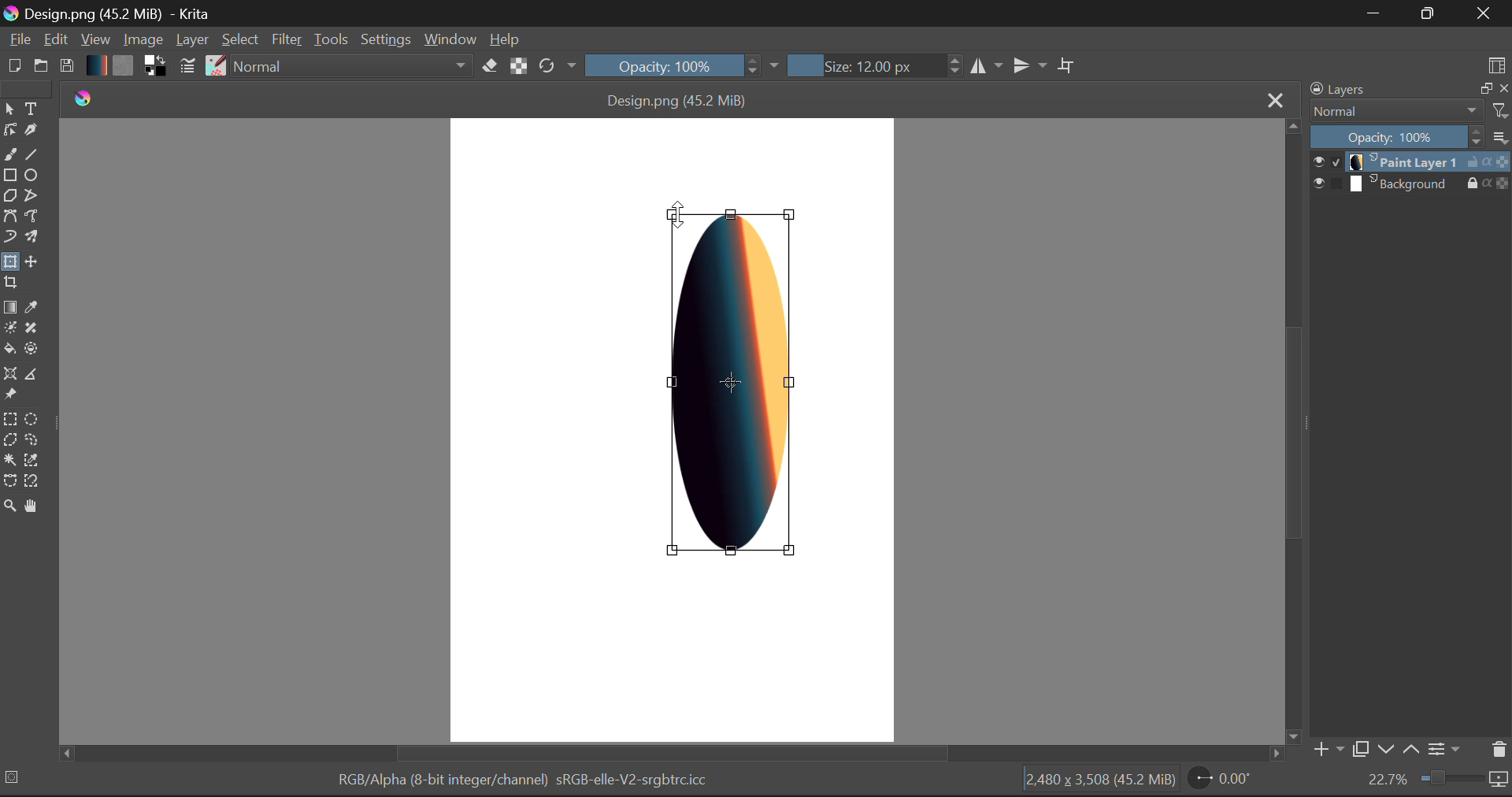 Image resolution: width=1512 pixels, height=797 pixels. I want to click on Copy Layer, so click(1359, 749).